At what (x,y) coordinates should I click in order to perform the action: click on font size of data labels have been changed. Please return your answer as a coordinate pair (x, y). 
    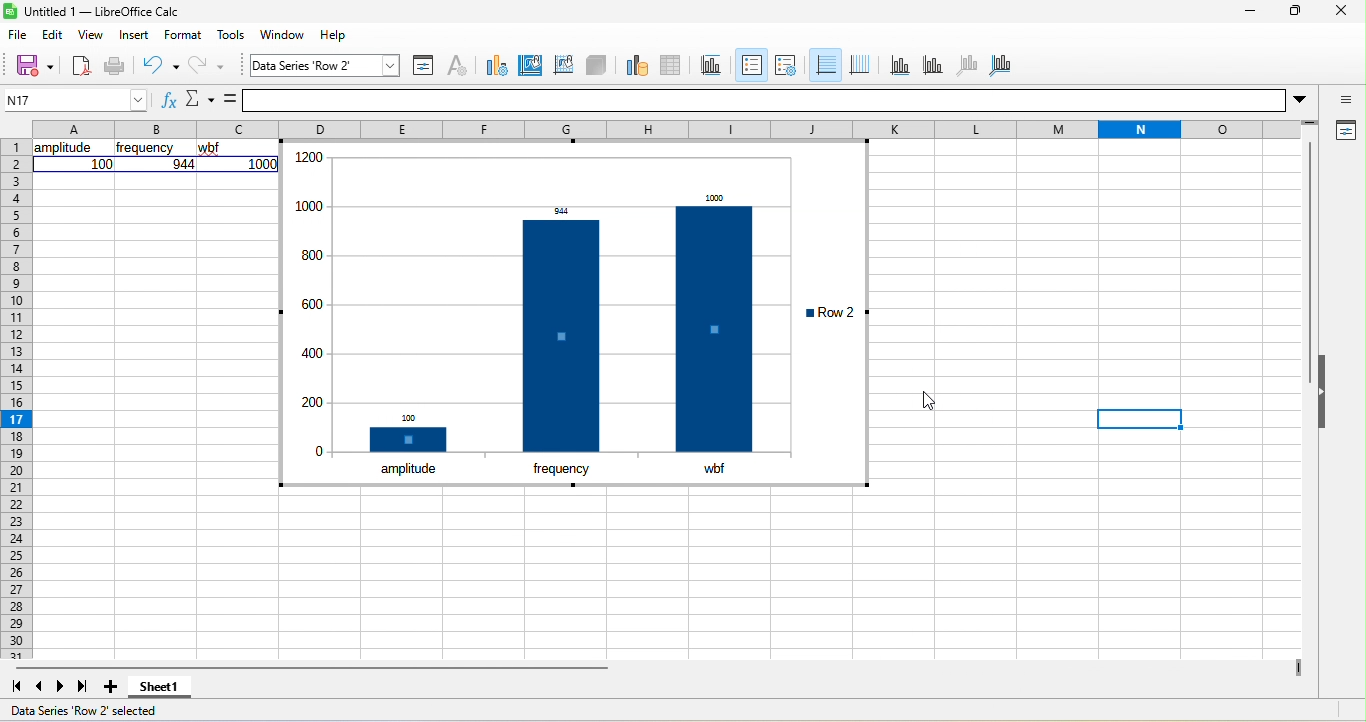
    Looking at the image, I should click on (530, 292).